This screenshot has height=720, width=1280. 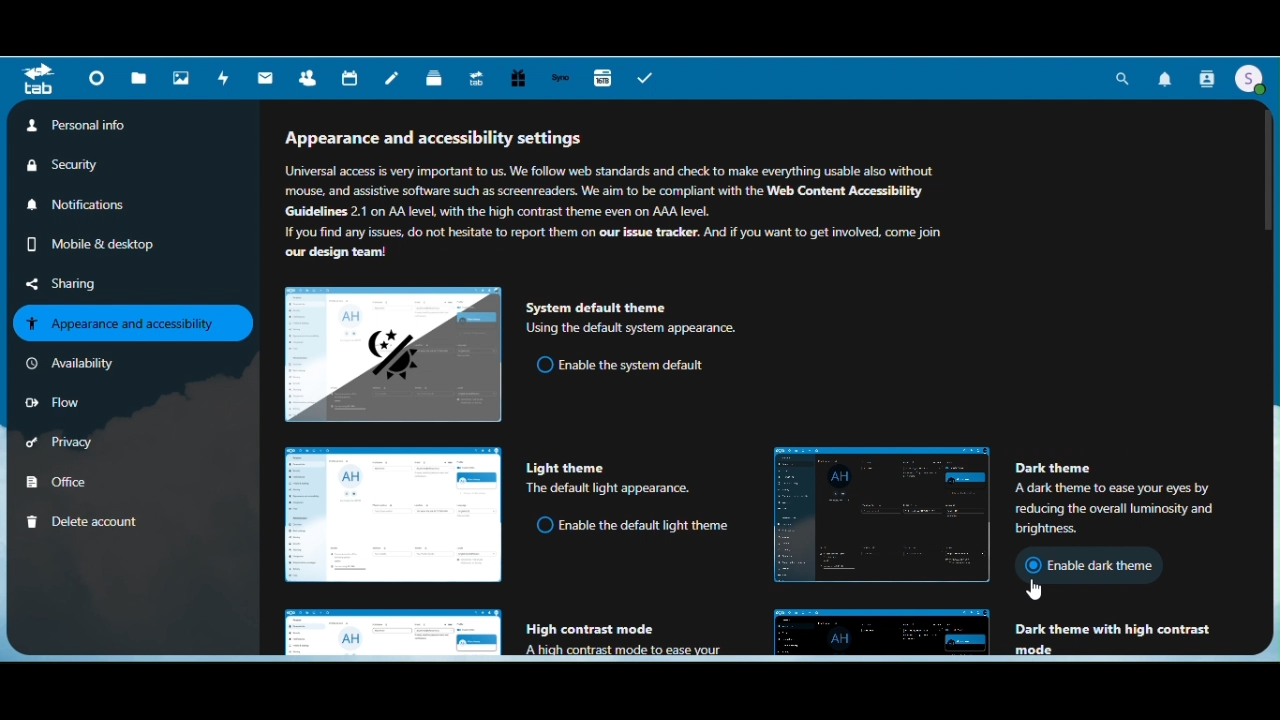 What do you see at coordinates (511, 350) in the screenshot?
I see `System default theme` at bounding box center [511, 350].